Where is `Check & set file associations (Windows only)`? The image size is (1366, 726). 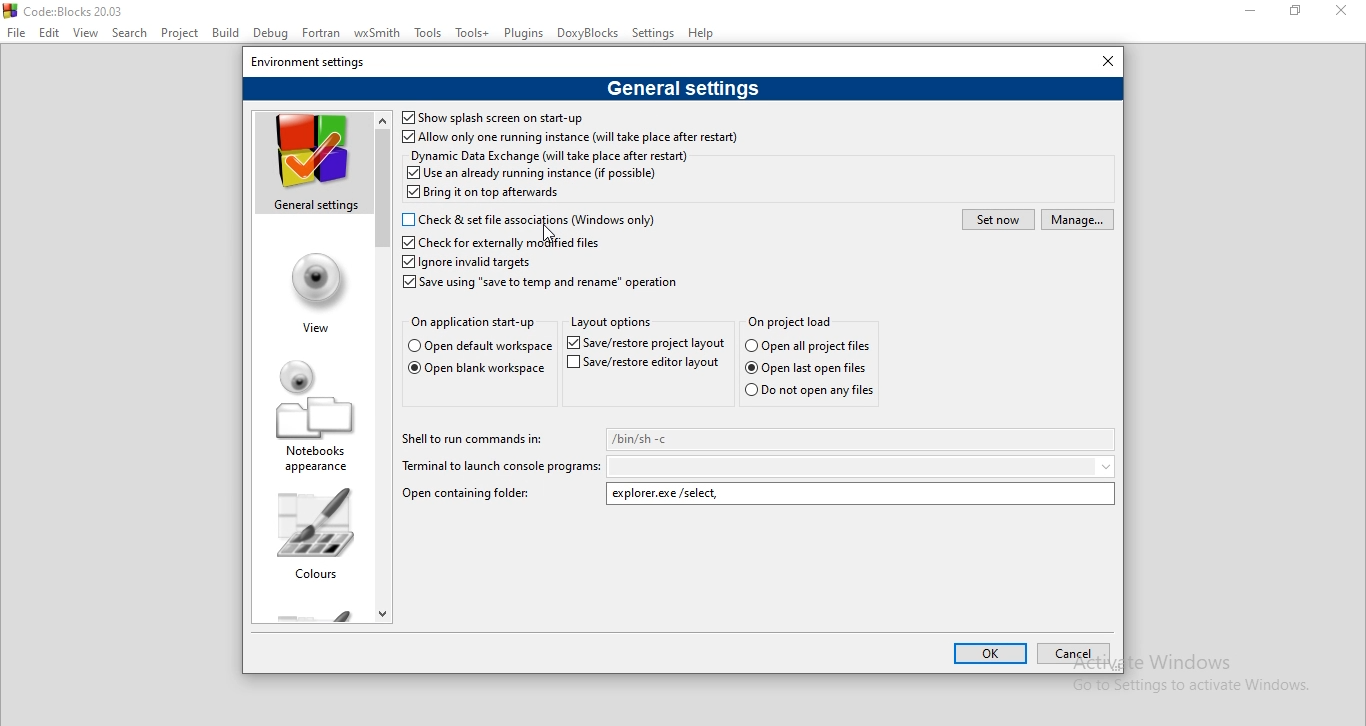 Check & set file associations (Windows only) is located at coordinates (535, 218).